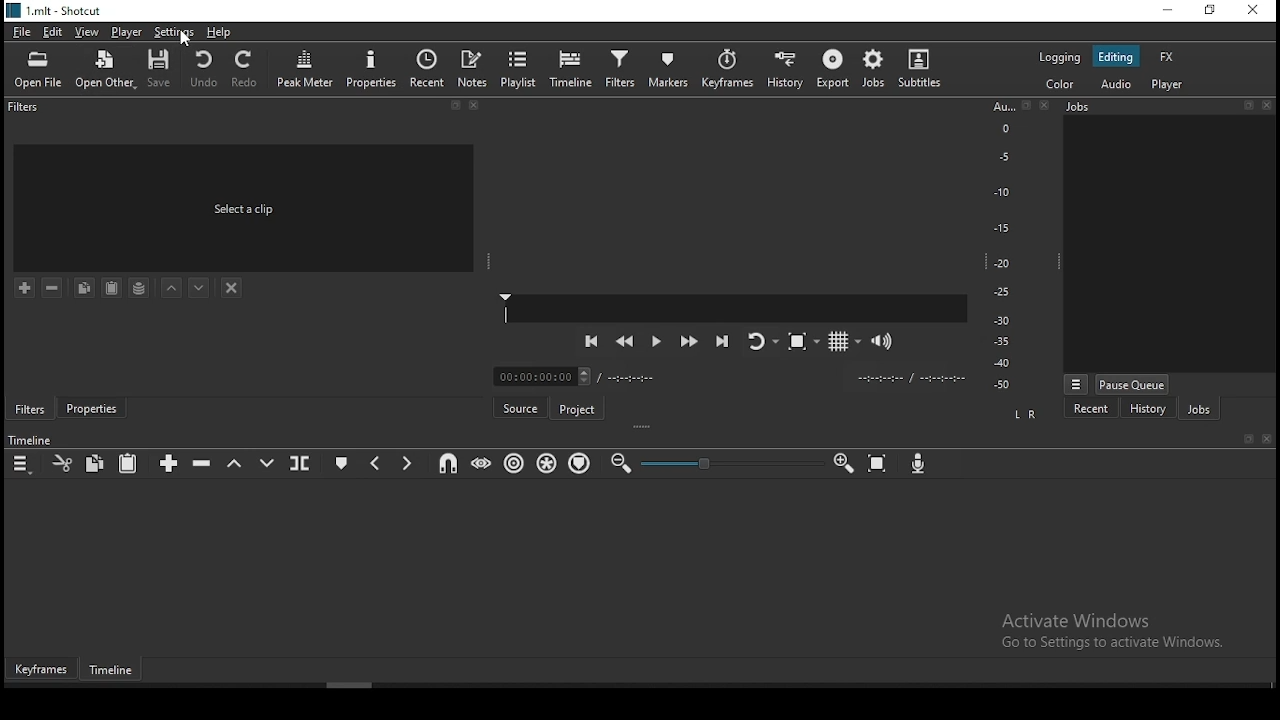  I want to click on jobs, so click(1198, 408).